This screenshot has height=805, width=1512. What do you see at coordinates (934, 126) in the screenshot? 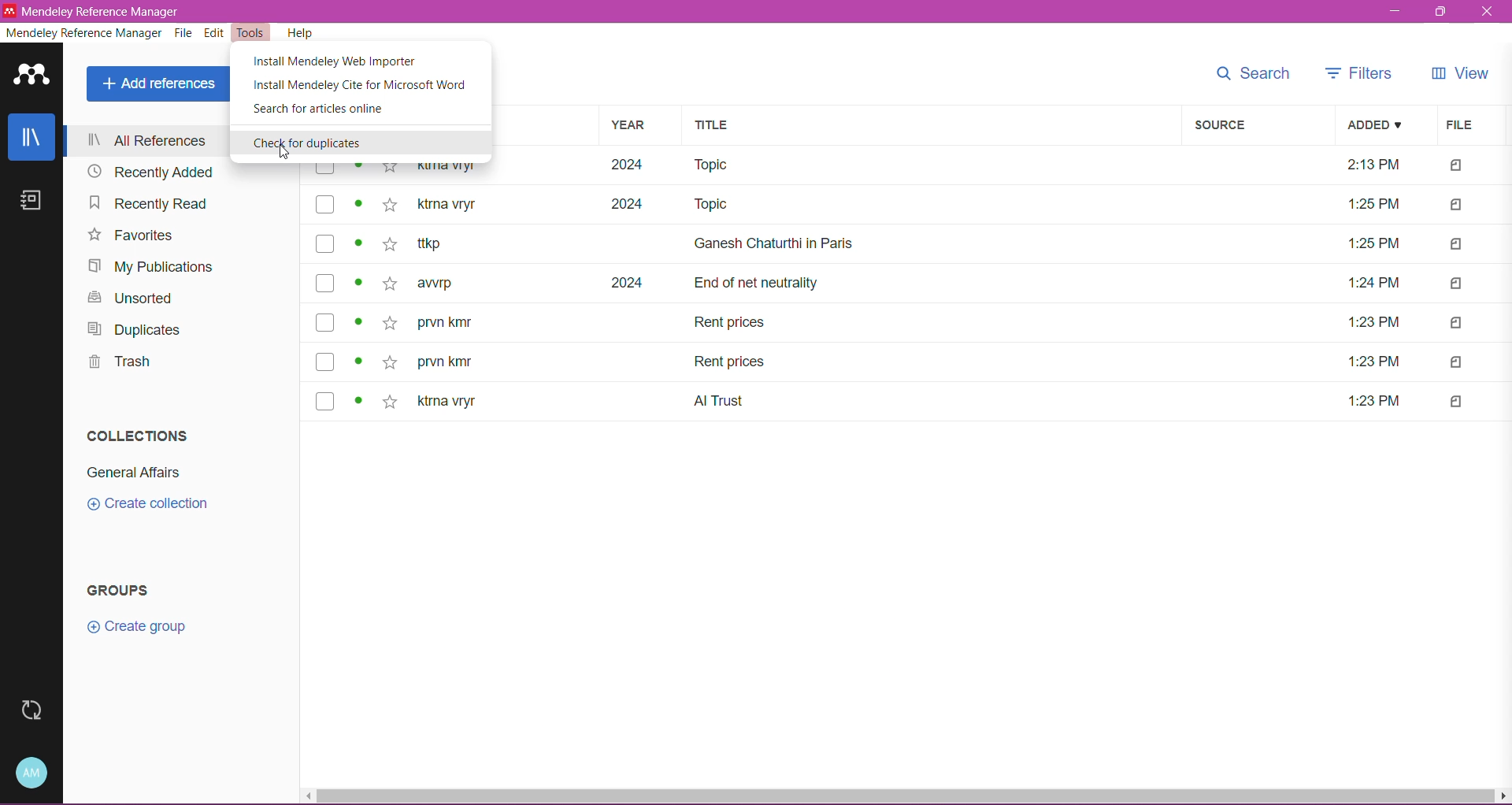
I see `Title` at bounding box center [934, 126].